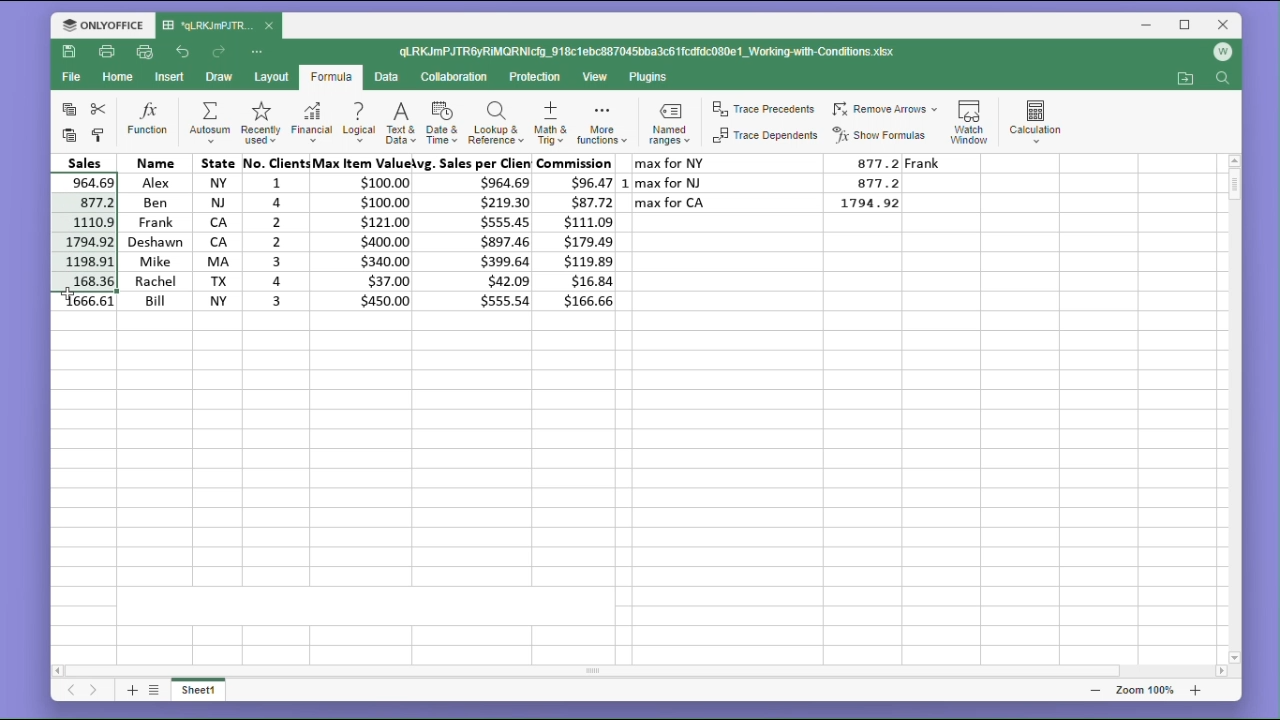 The height and width of the screenshot is (720, 1280). Describe the element at coordinates (972, 118) in the screenshot. I see `watch window` at that location.